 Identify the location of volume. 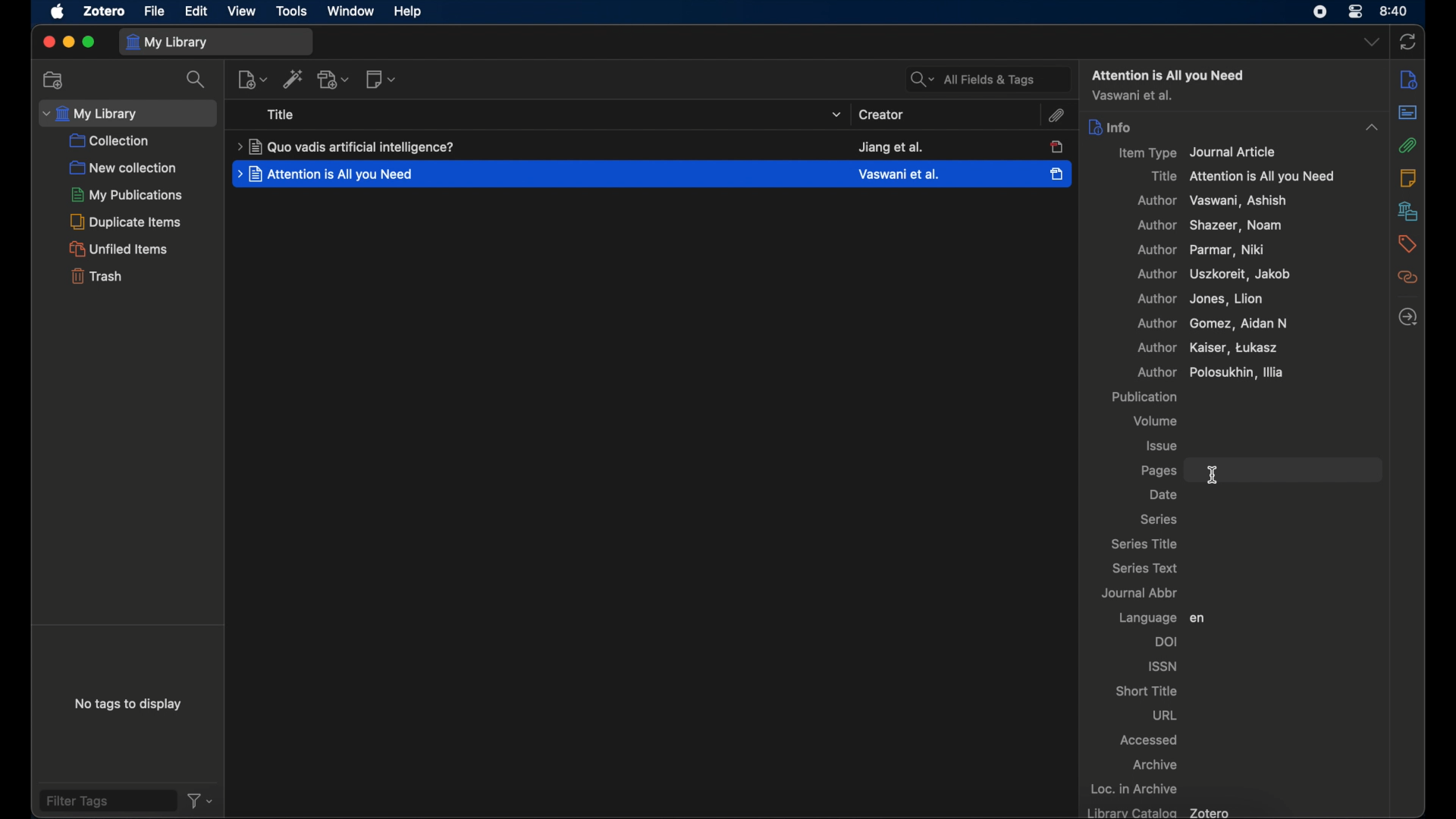
(1158, 421).